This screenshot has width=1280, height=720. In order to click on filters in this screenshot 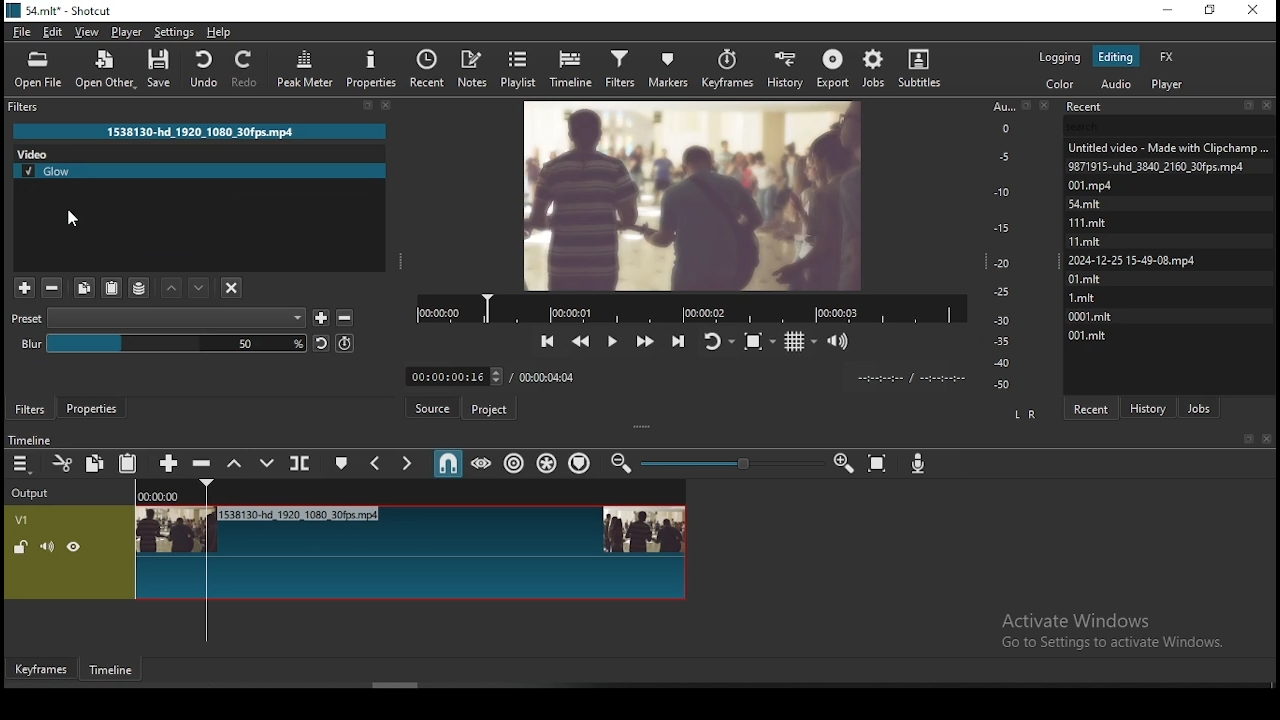, I will do `click(619, 66)`.